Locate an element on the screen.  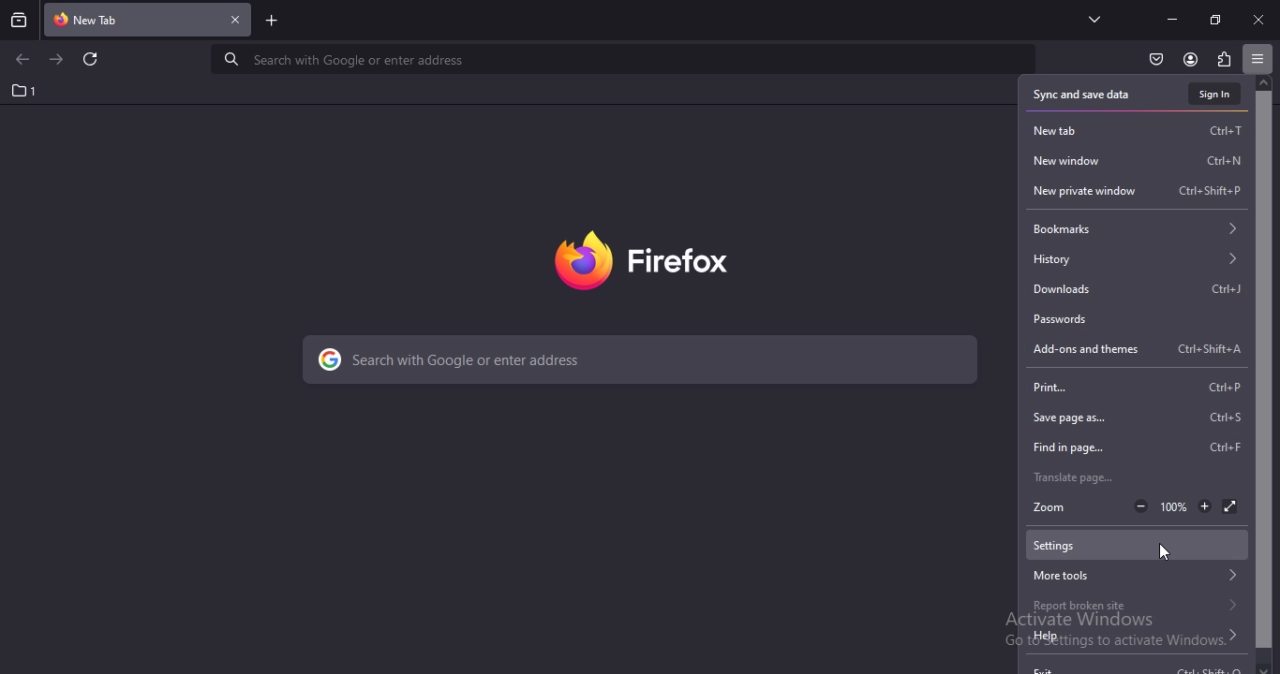
scrollbar is located at coordinates (1266, 378).